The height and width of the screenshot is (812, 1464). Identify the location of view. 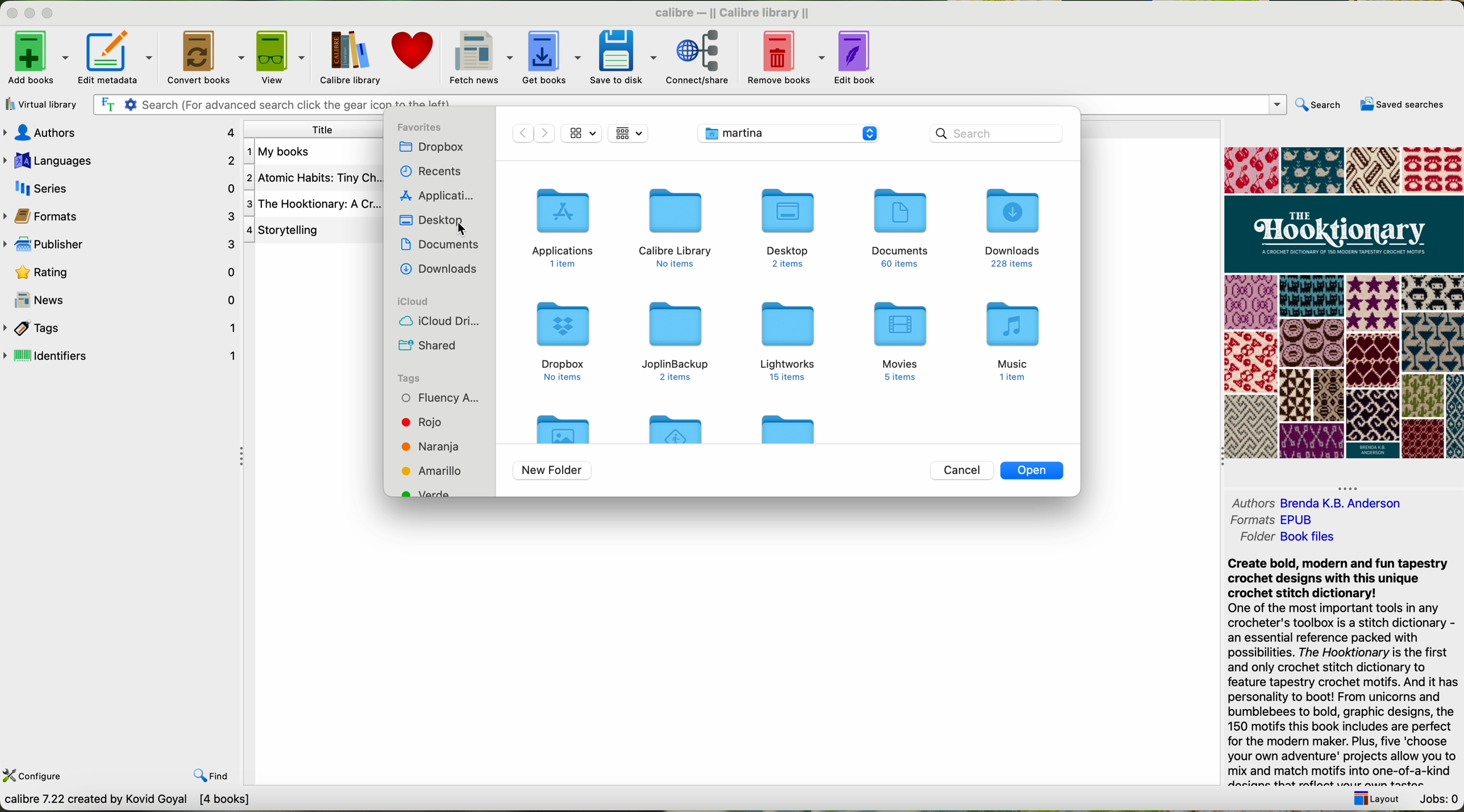
(282, 57).